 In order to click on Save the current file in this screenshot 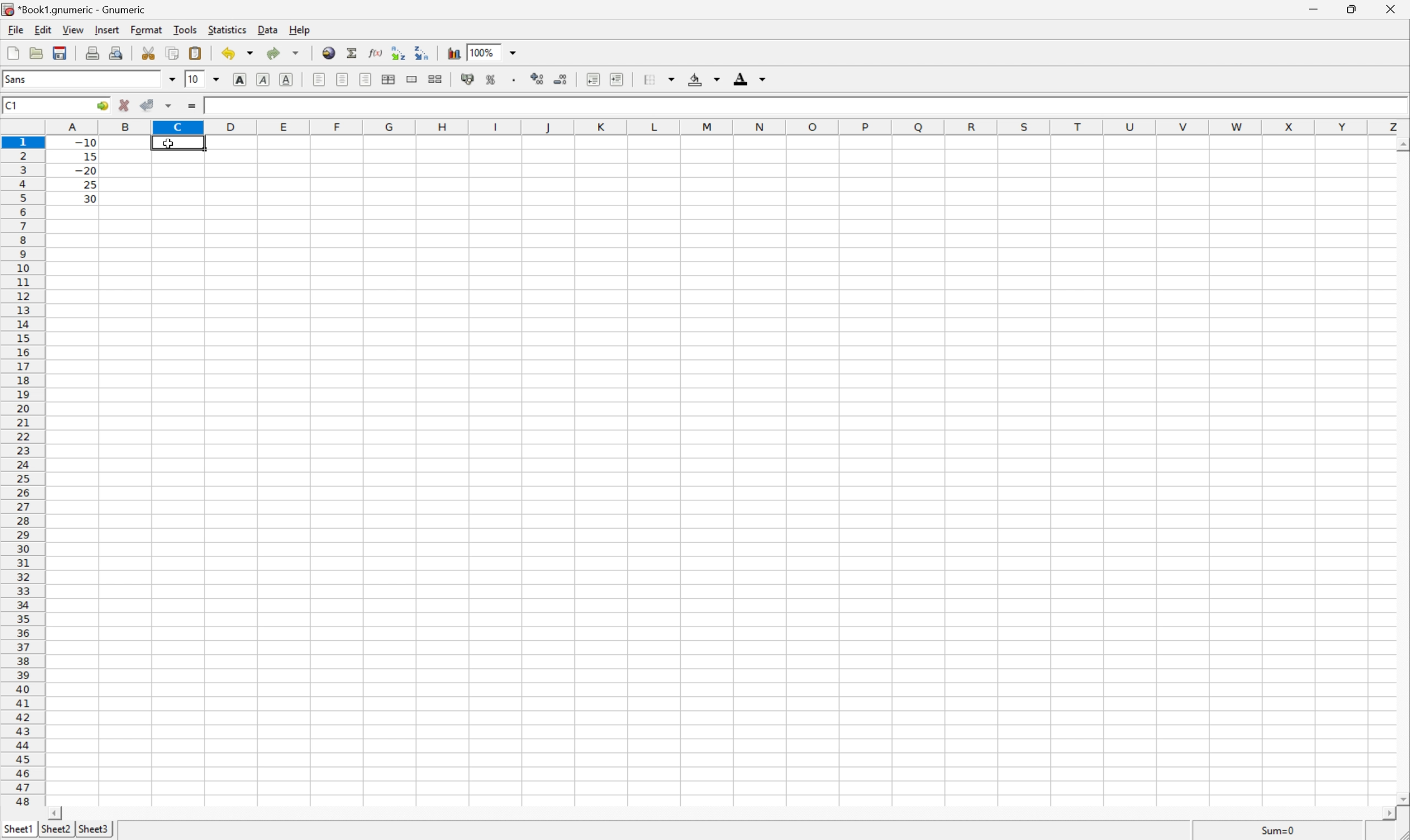, I will do `click(61, 52)`.